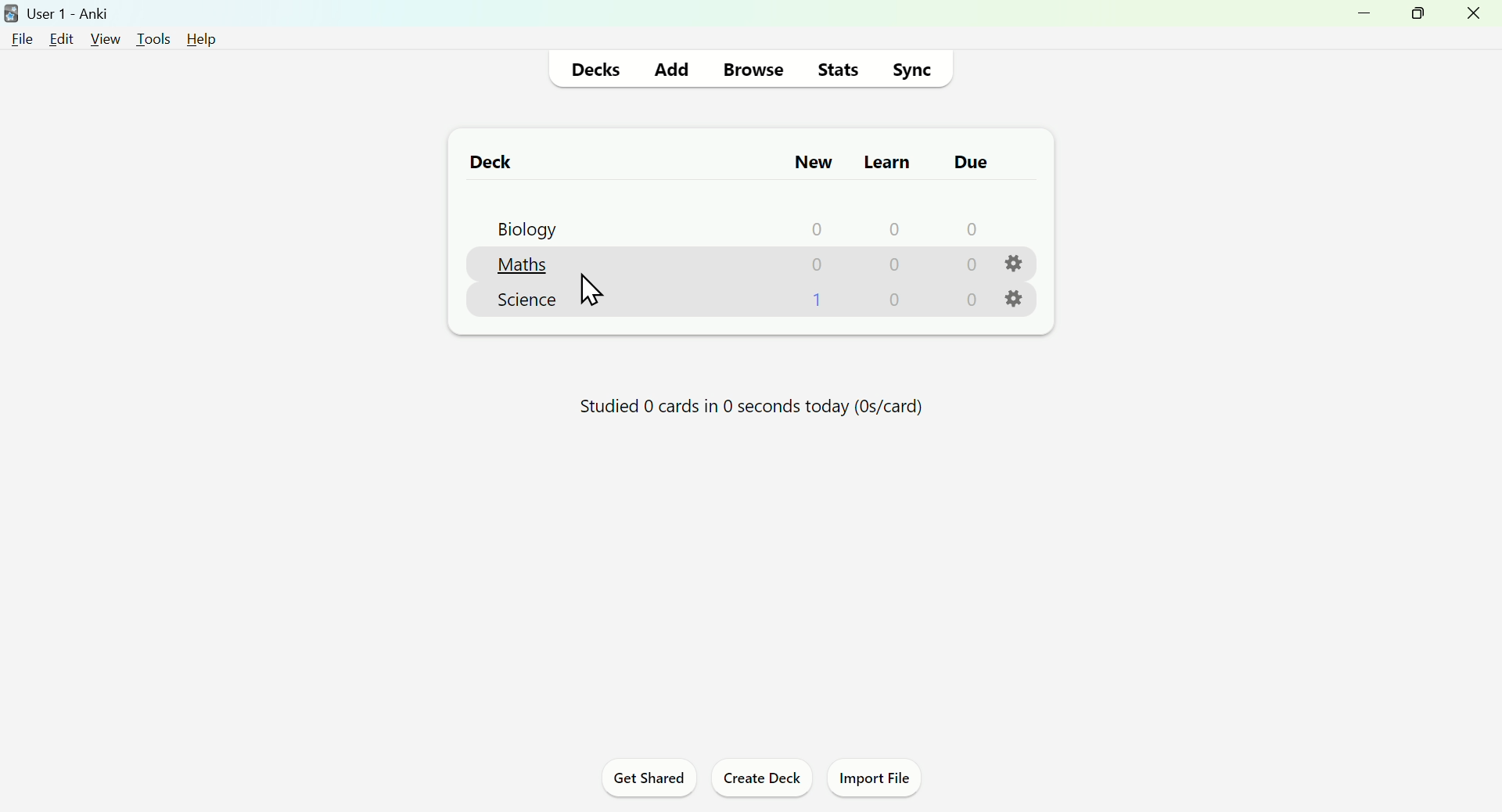 The width and height of the screenshot is (1502, 812). Describe the element at coordinates (643, 781) in the screenshot. I see `Get Shared` at that location.